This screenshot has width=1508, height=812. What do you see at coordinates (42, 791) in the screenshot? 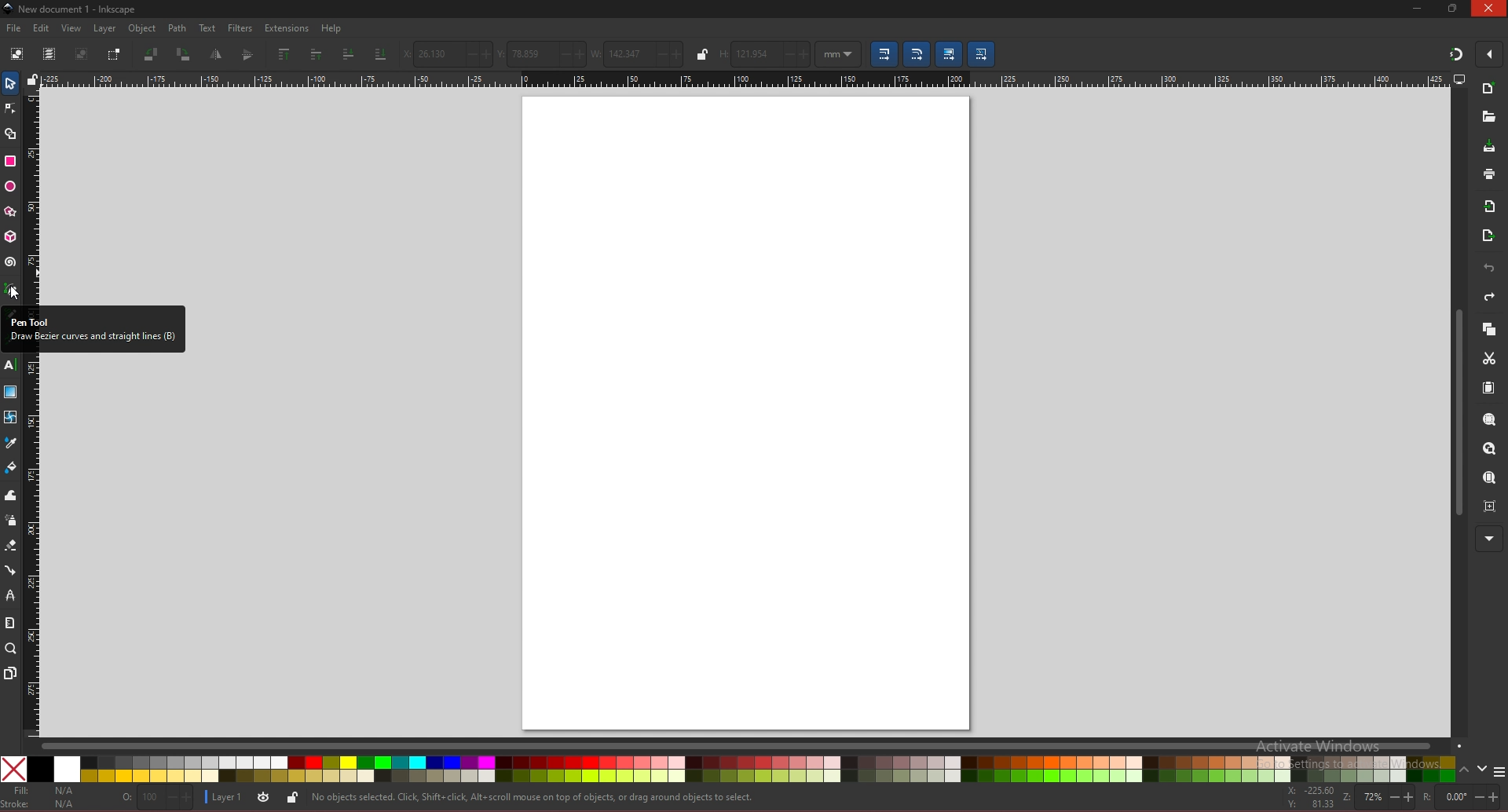
I see `fill` at bounding box center [42, 791].